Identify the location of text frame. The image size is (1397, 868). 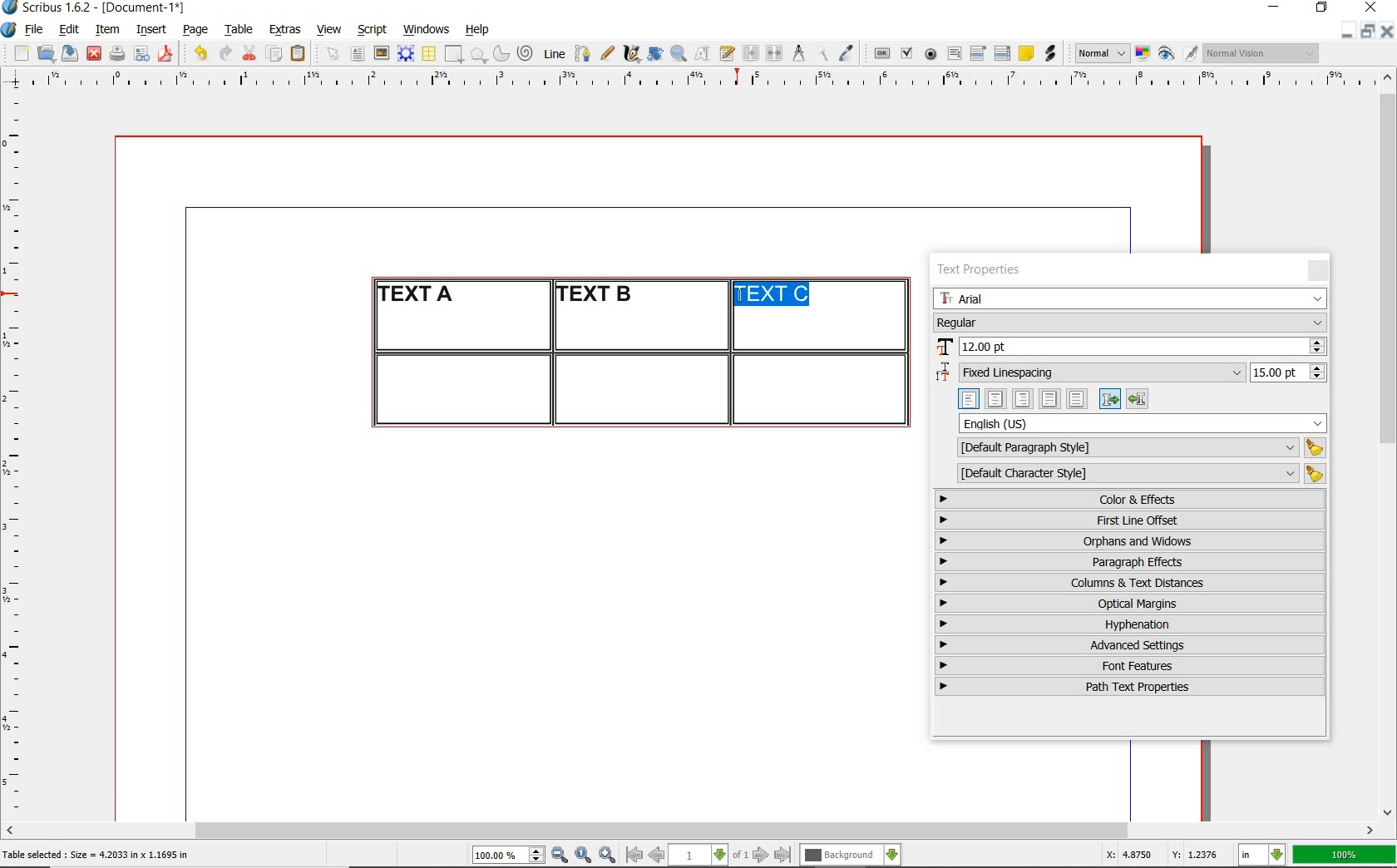
(357, 55).